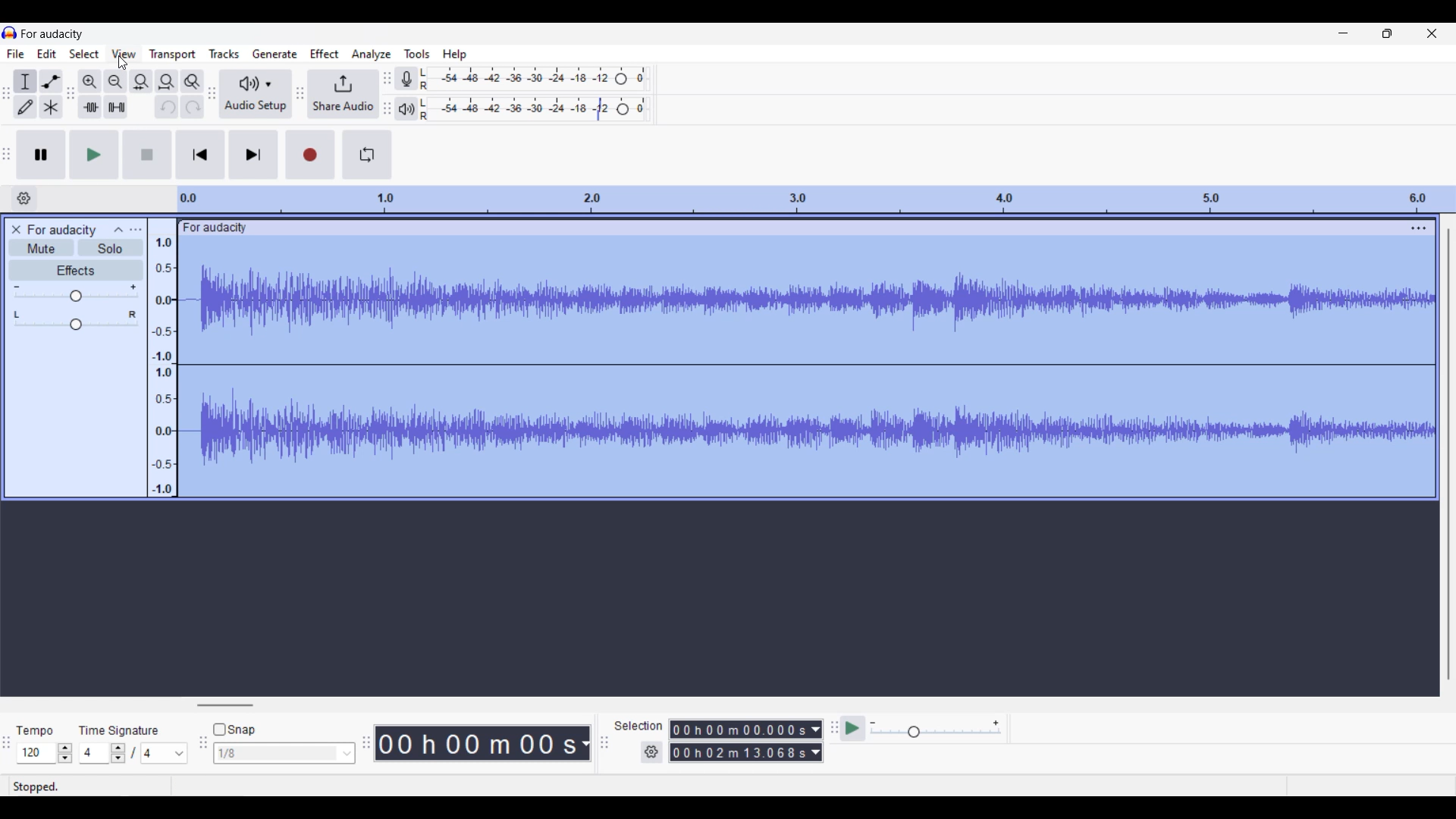  Describe the element at coordinates (163, 366) in the screenshot. I see `Scale to track sound intensity` at that location.